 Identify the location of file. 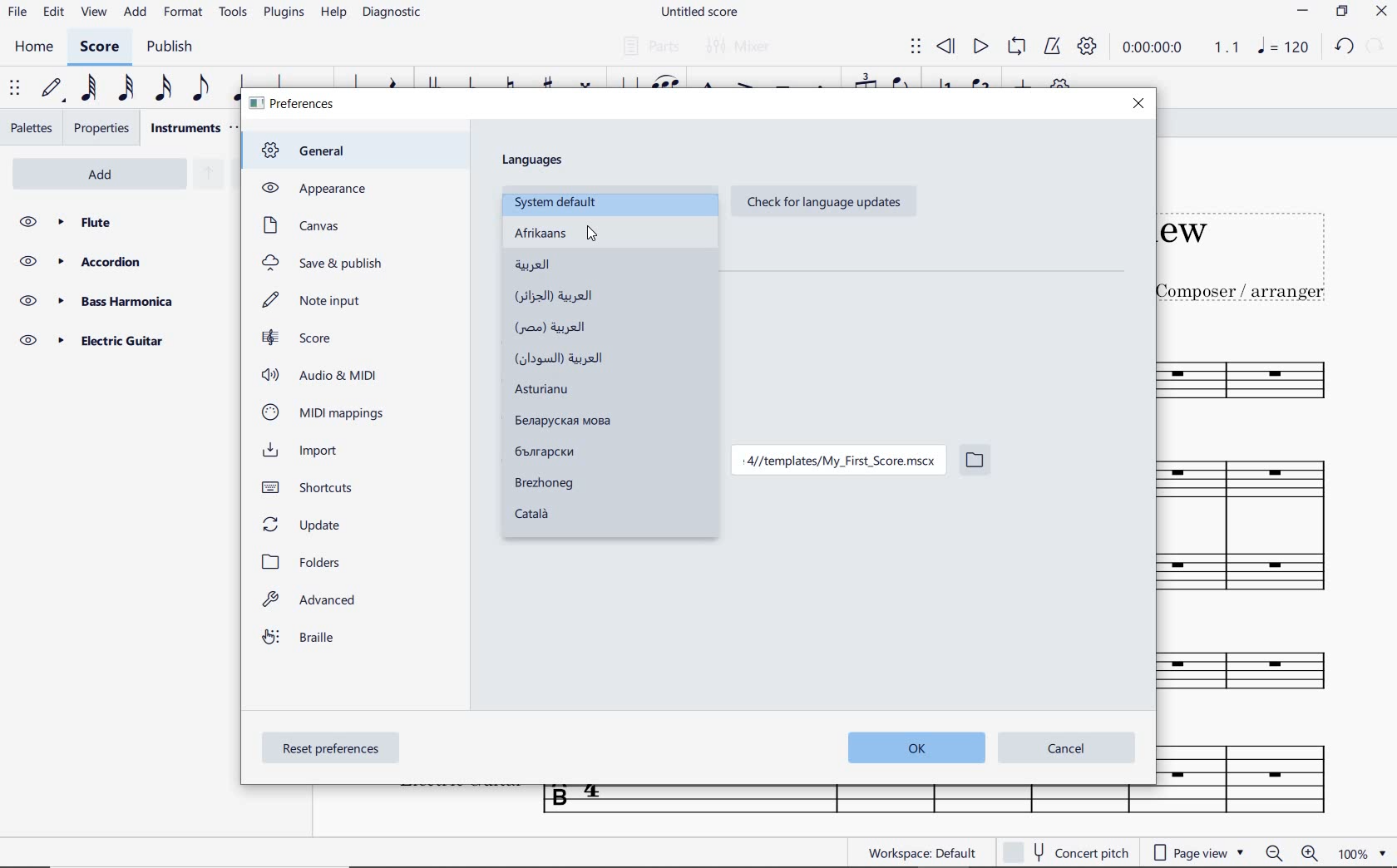
(17, 14).